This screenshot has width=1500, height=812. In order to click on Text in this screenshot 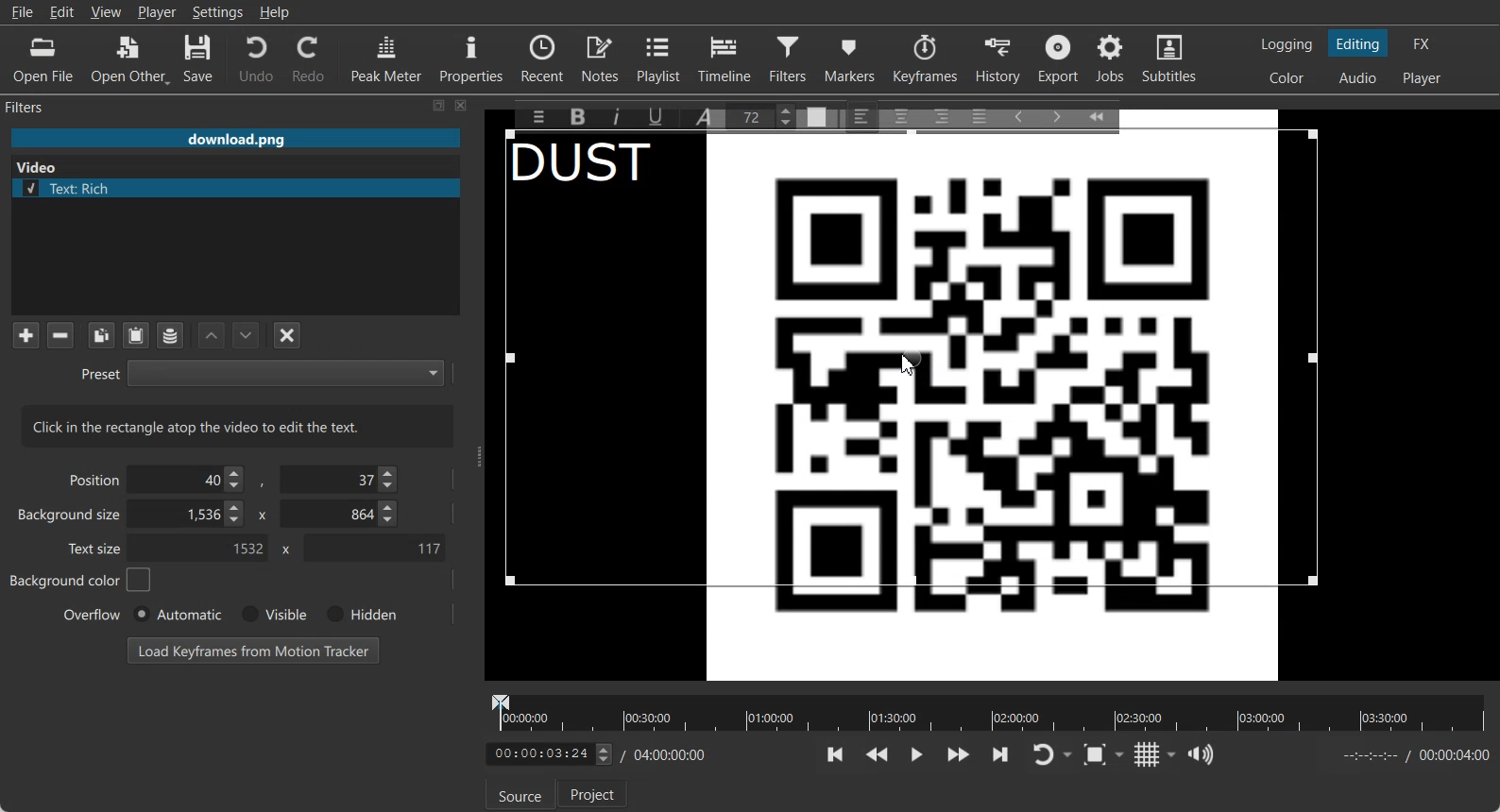, I will do `click(238, 426)`.